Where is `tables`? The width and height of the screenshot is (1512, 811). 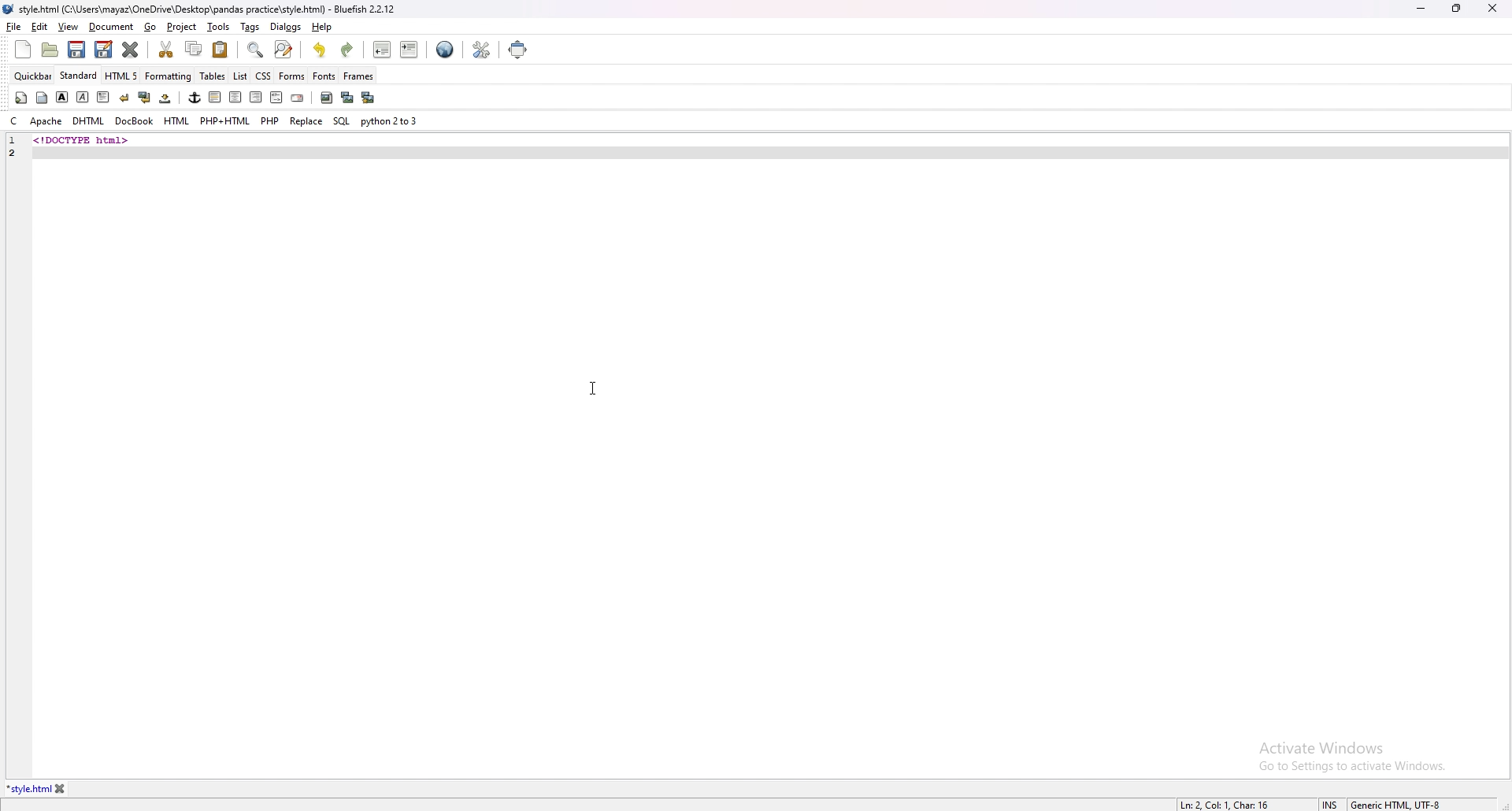 tables is located at coordinates (213, 76).